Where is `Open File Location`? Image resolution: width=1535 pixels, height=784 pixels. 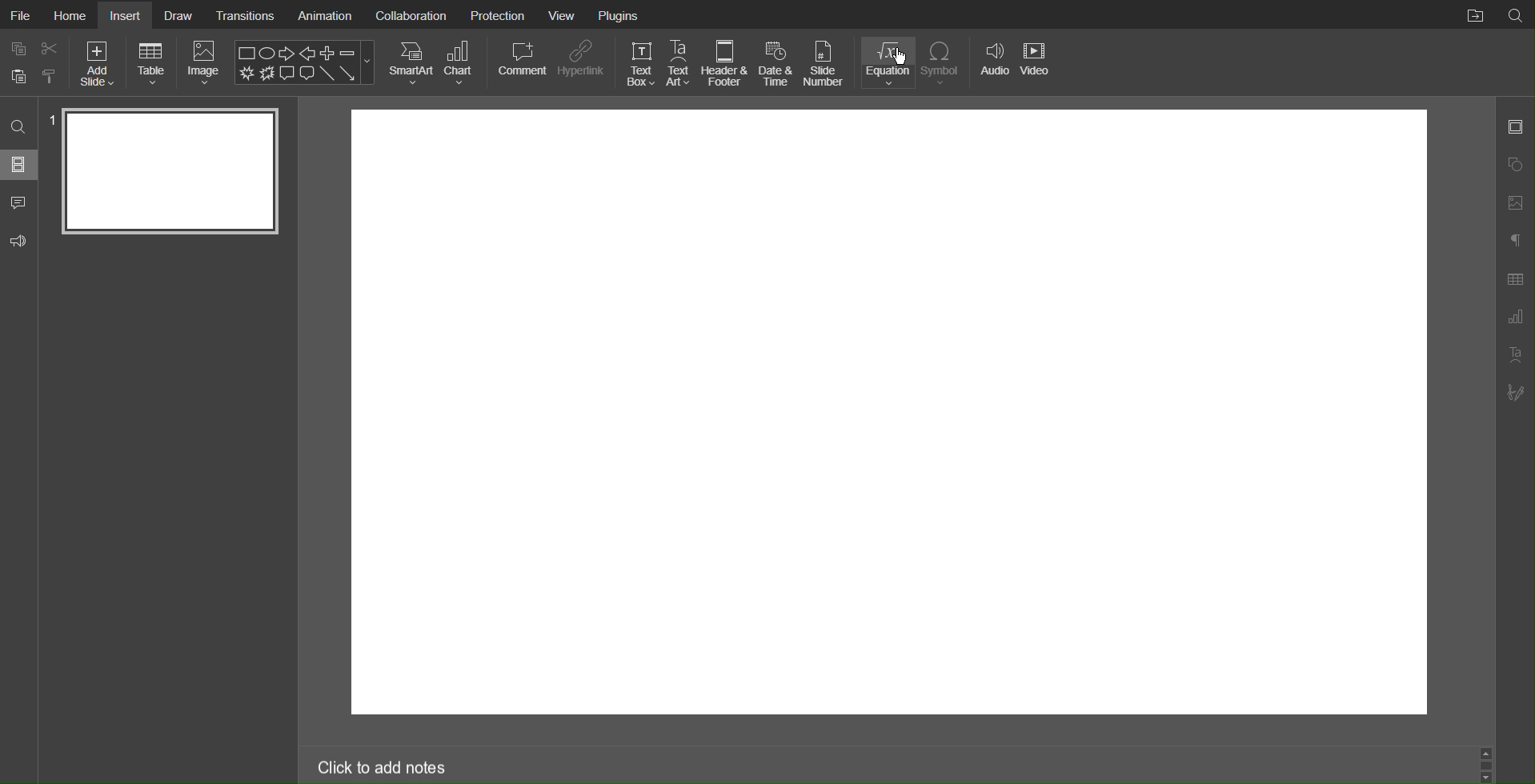
Open File Location is located at coordinates (1473, 16).